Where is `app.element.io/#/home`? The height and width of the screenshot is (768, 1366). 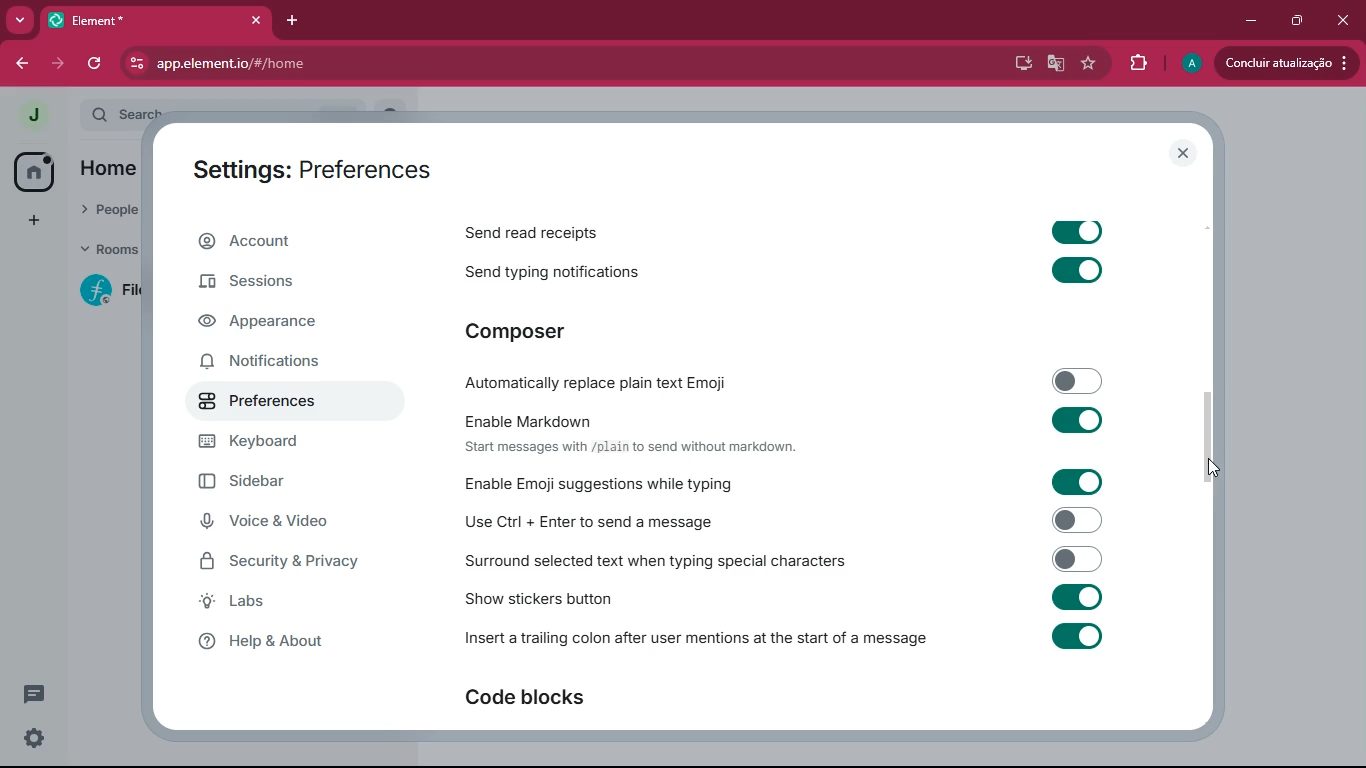 app.element.io/#/home is located at coordinates (410, 64).